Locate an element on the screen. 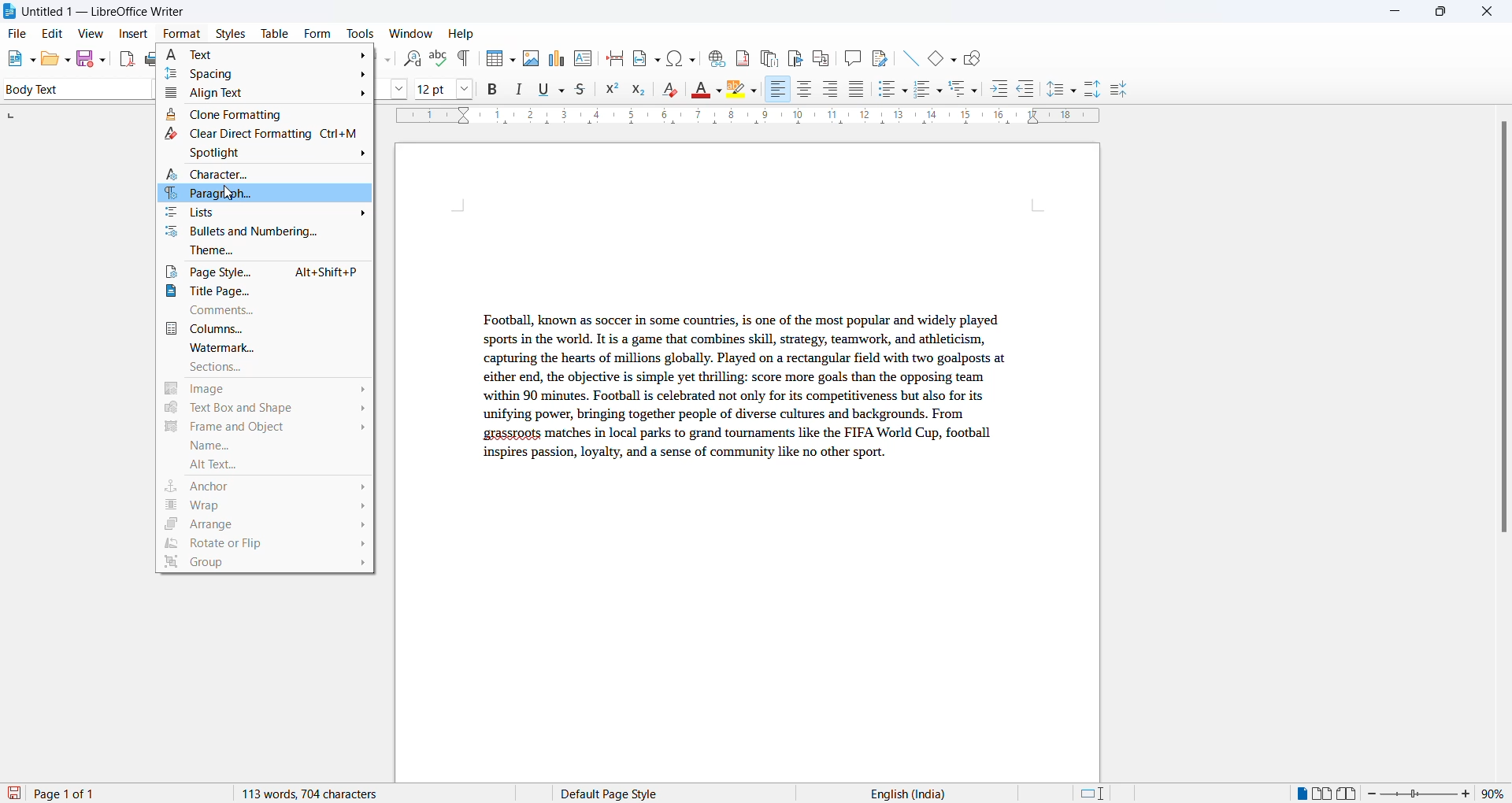  decrease indent is located at coordinates (1031, 90).